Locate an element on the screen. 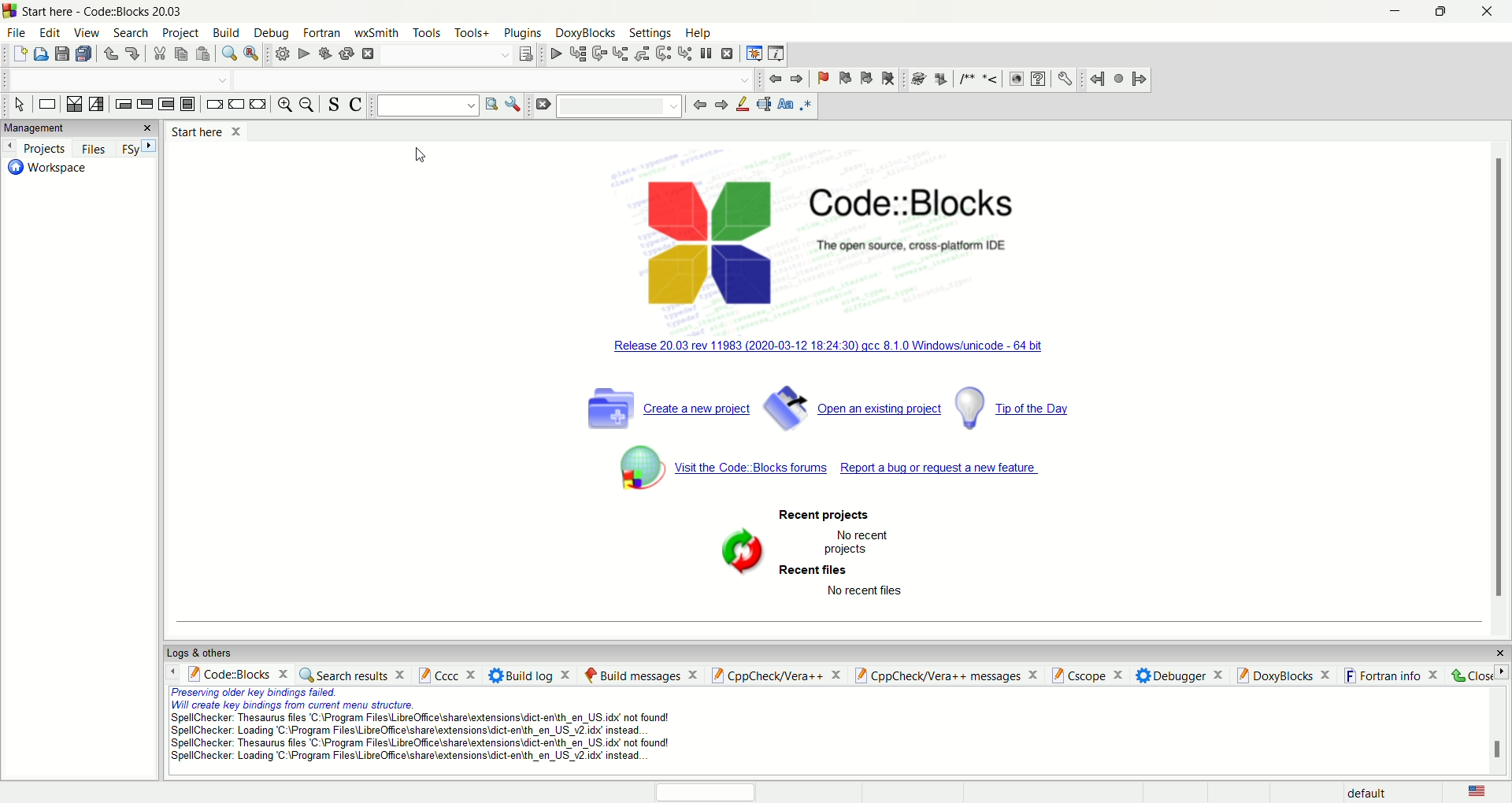 This screenshot has width=1512, height=803. open is located at coordinates (41, 54).